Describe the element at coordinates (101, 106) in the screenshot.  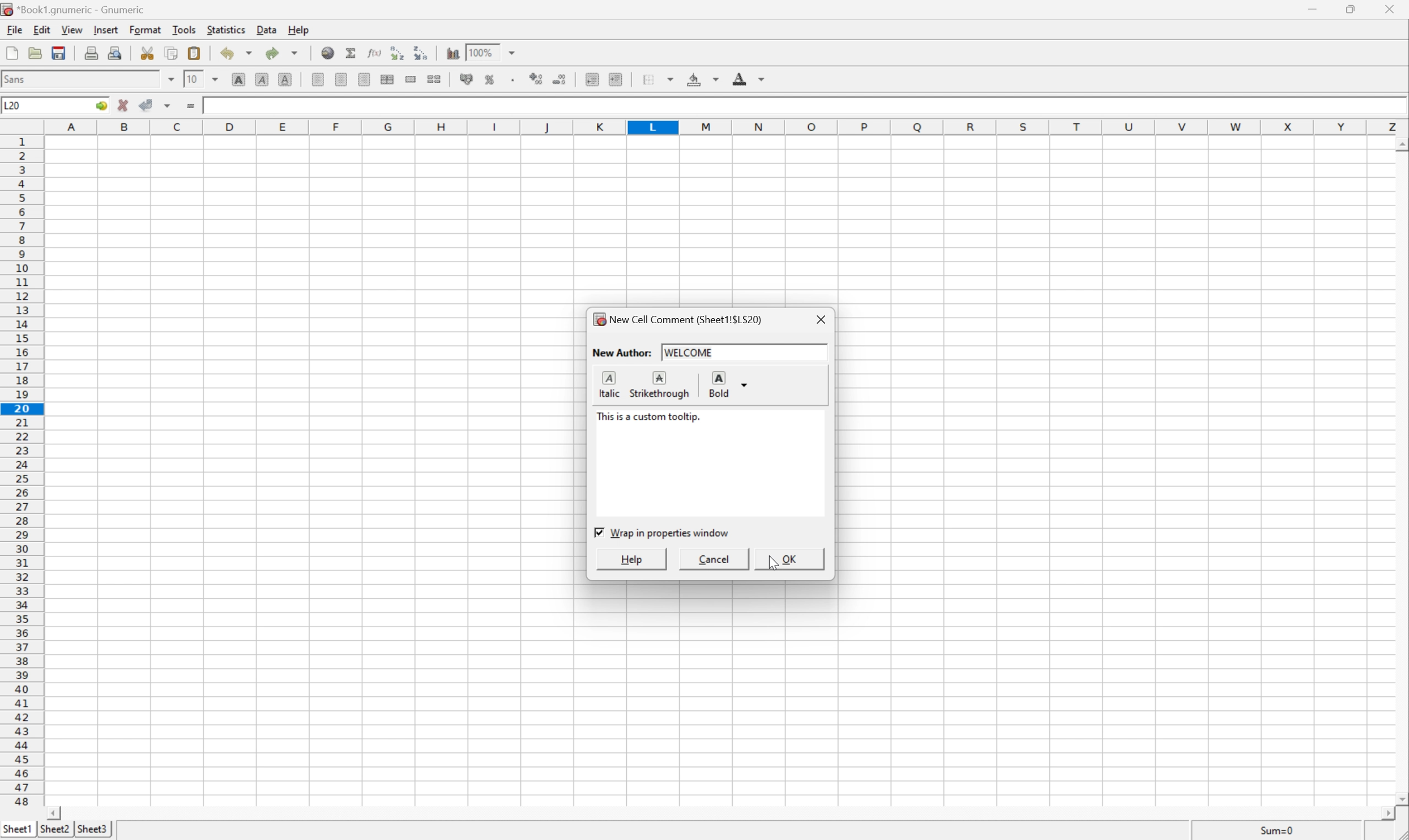
I see `Go To` at that location.